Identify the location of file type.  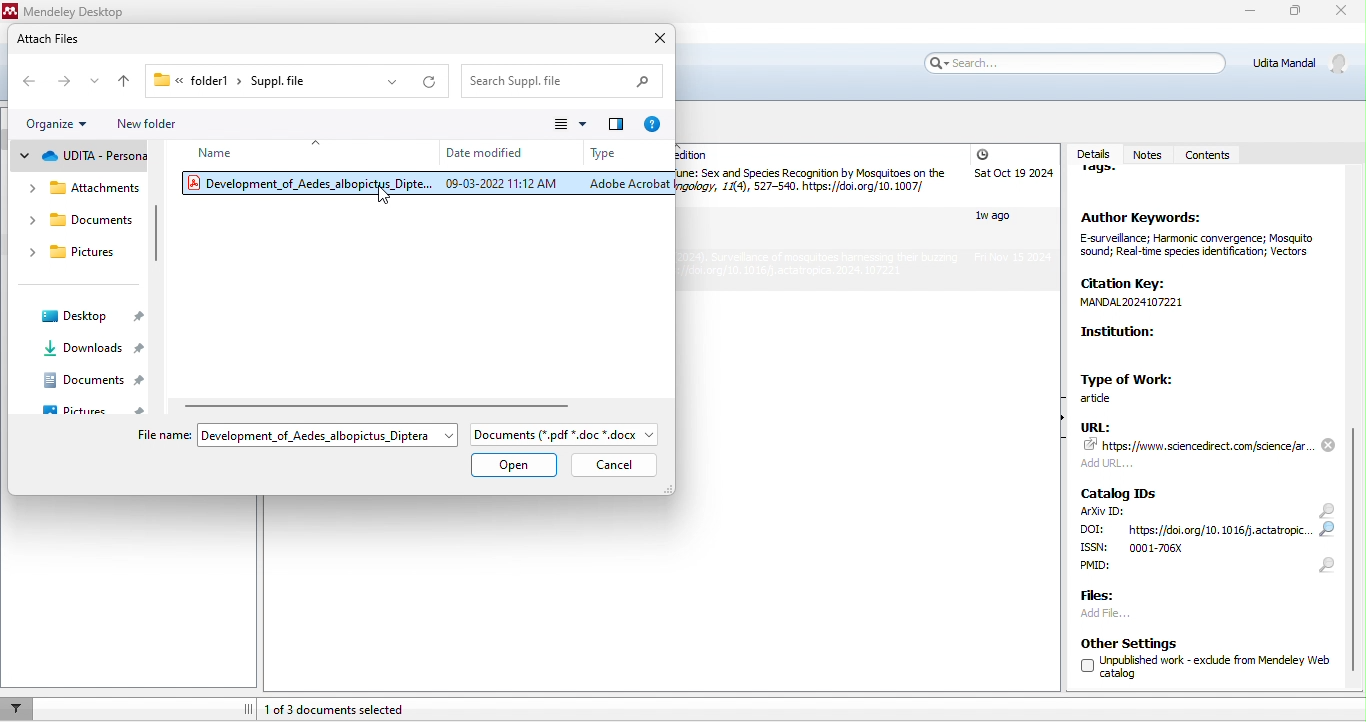
(568, 435).